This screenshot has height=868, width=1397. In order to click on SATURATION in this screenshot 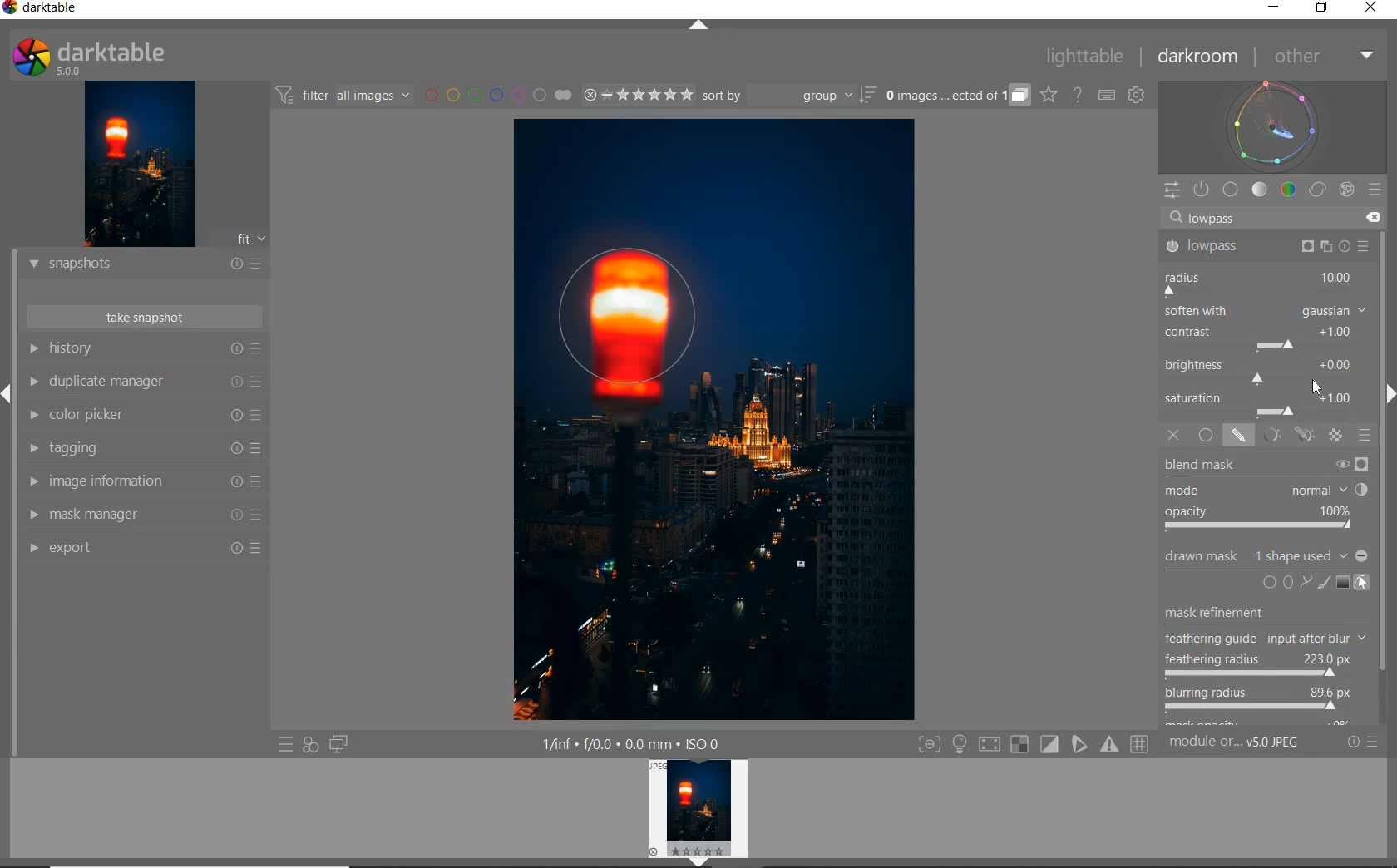, I will do `click(1266, 403)`.